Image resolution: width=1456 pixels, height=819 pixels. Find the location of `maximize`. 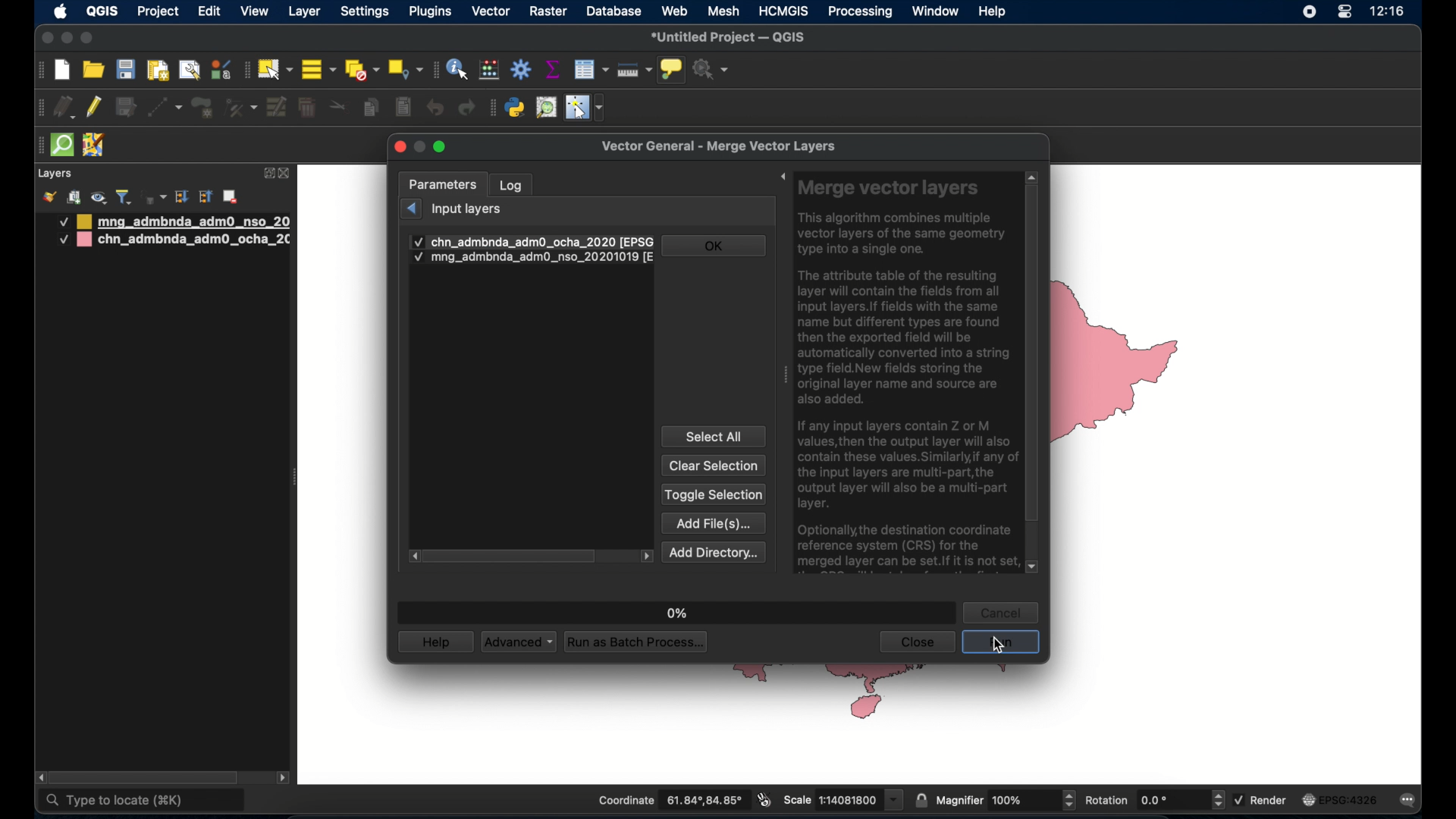

maximize is located at coordinates (443, 149).